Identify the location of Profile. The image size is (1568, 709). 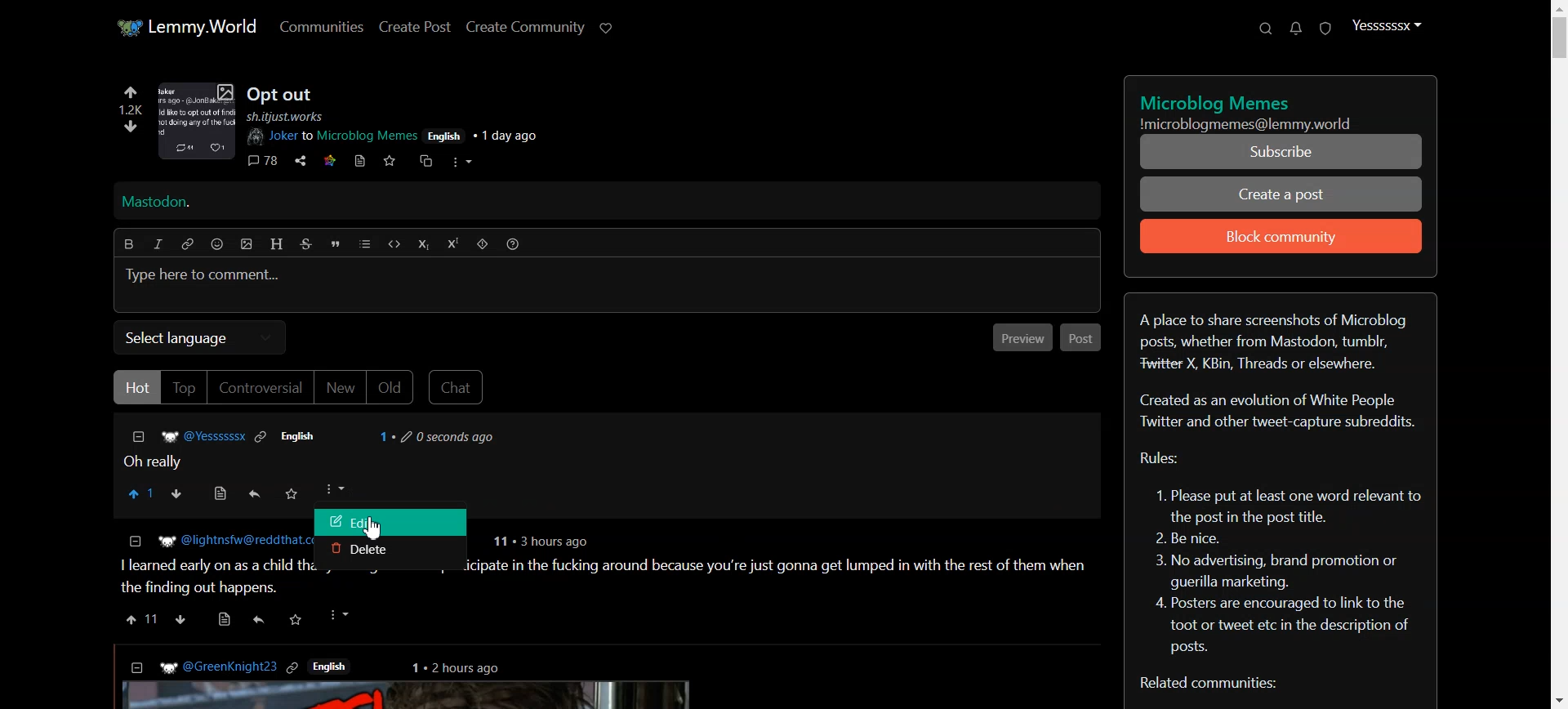
(1386, 25).